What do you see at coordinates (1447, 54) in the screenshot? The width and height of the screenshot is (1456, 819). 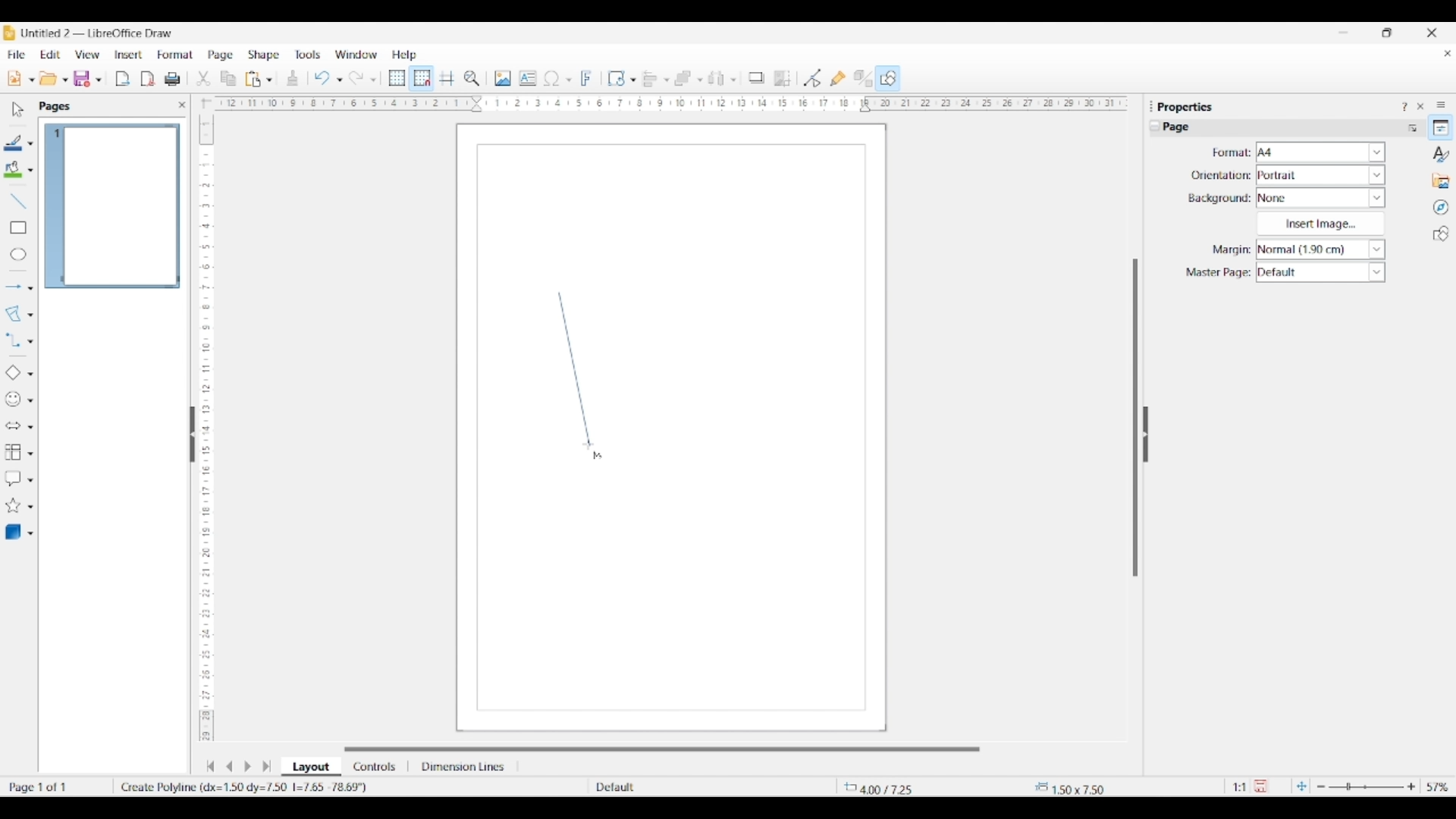 I see `Close current document ` at bounding box center [1447, 54].